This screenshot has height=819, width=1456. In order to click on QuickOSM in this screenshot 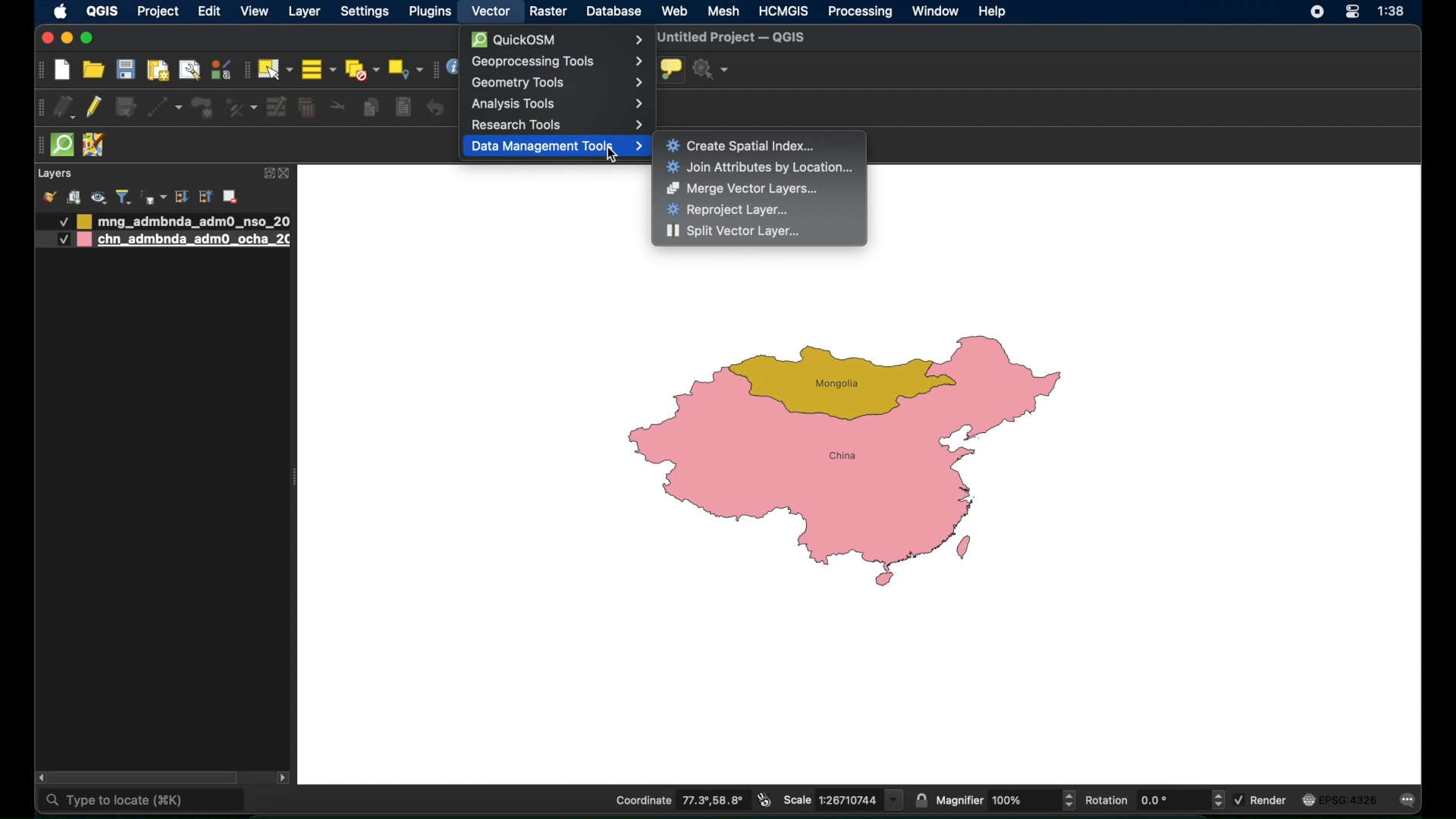, I will do `click(555, 38)`.